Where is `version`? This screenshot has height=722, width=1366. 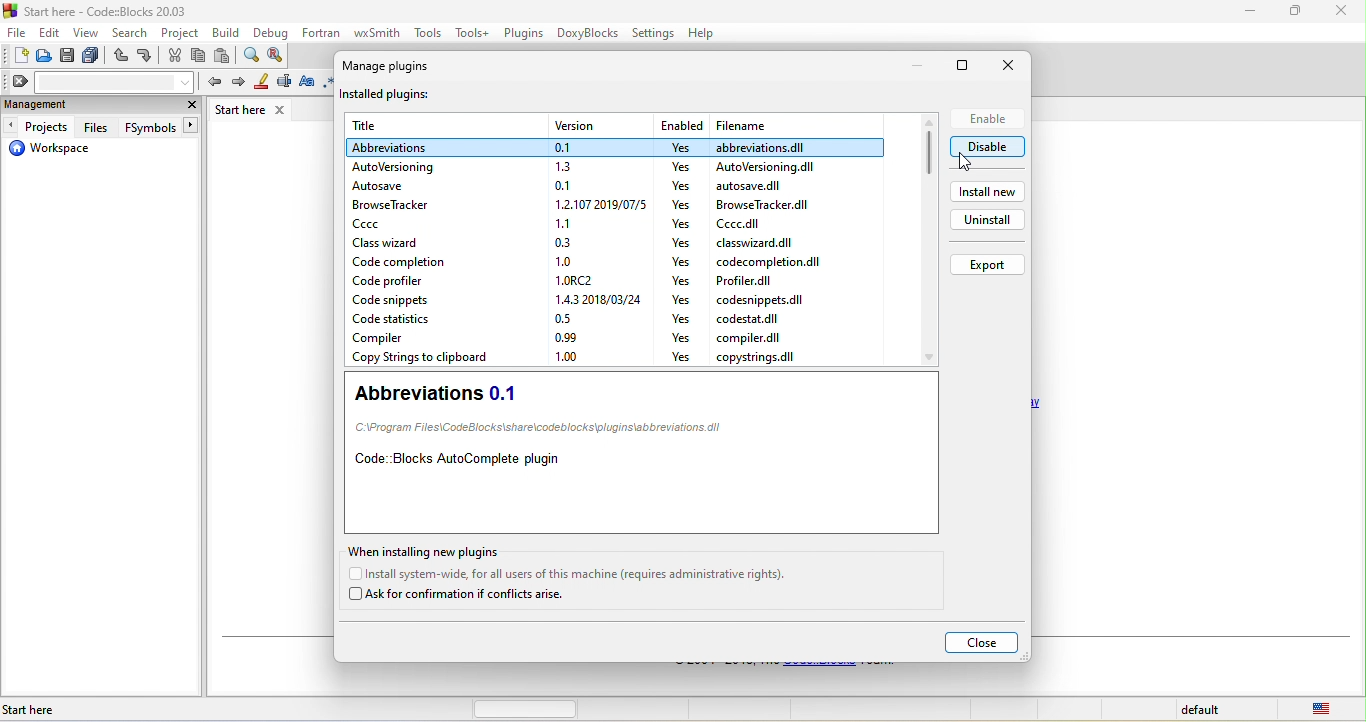
version is located at coordinates (563, 222).